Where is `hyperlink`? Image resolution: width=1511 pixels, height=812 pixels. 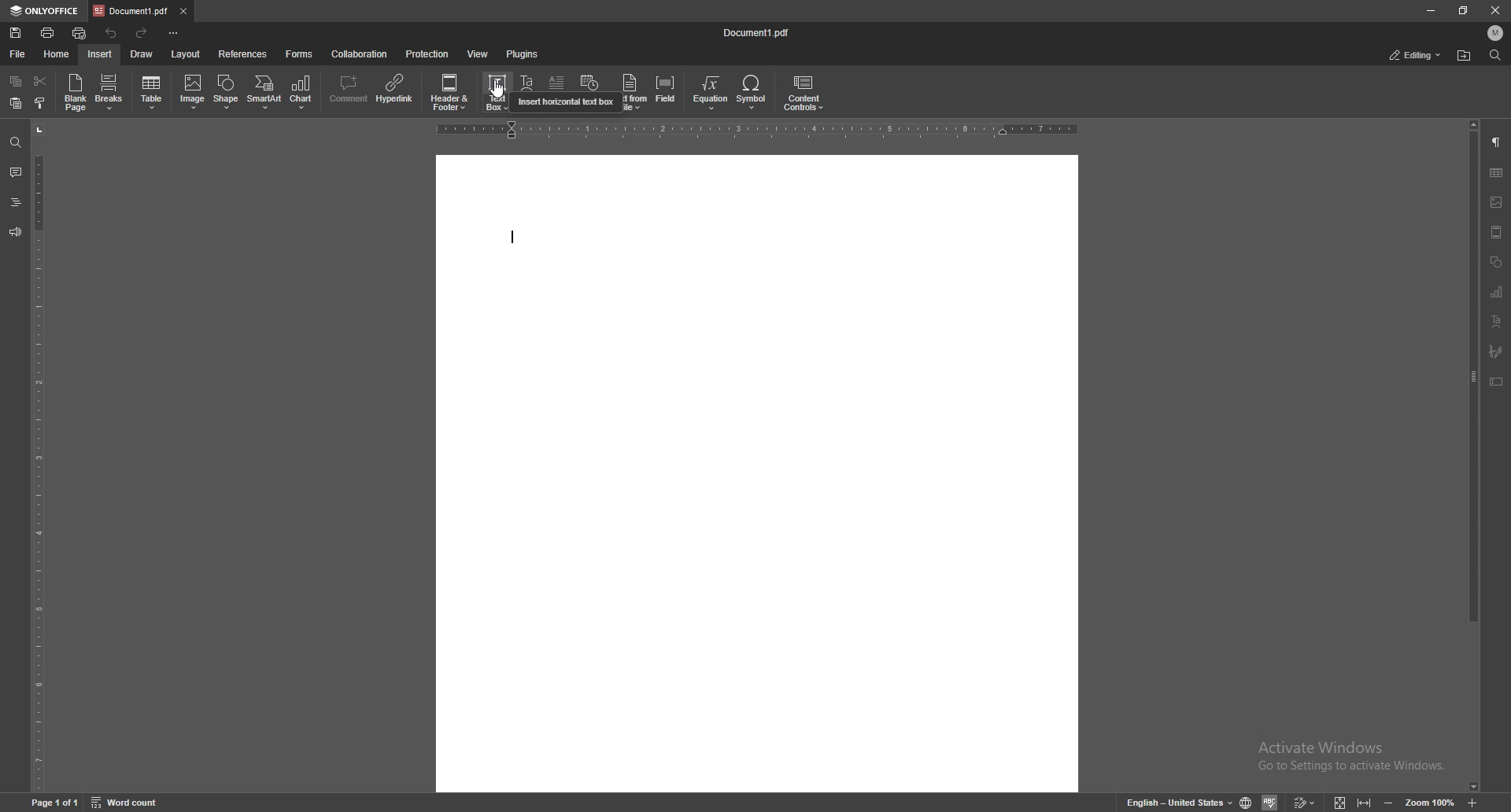 hyperlink is located at coordinates (397, 89).